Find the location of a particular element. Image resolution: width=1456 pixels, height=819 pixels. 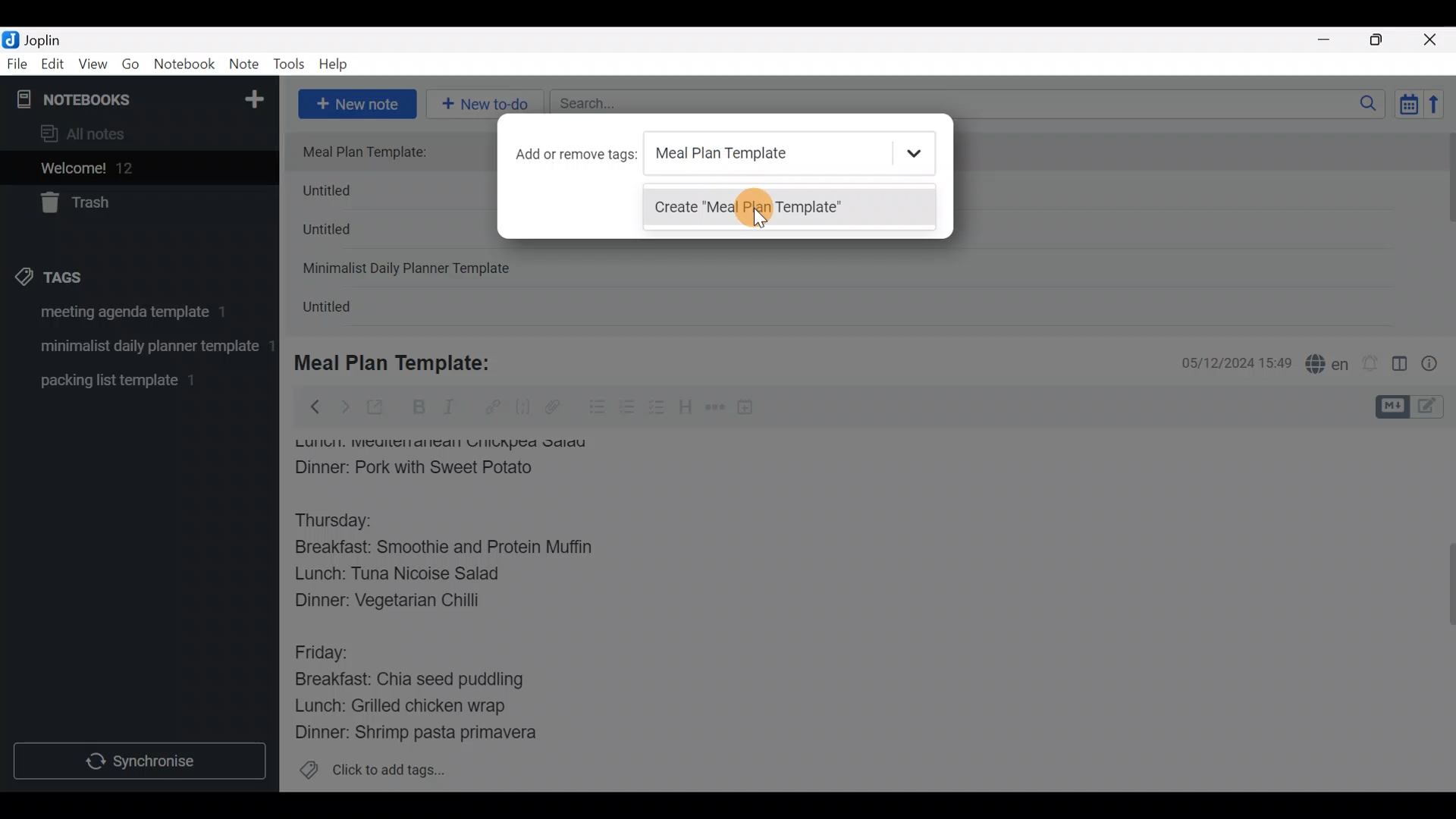

Lunch: Tuna Nicoise Salad is located at coordinates (410, 577).